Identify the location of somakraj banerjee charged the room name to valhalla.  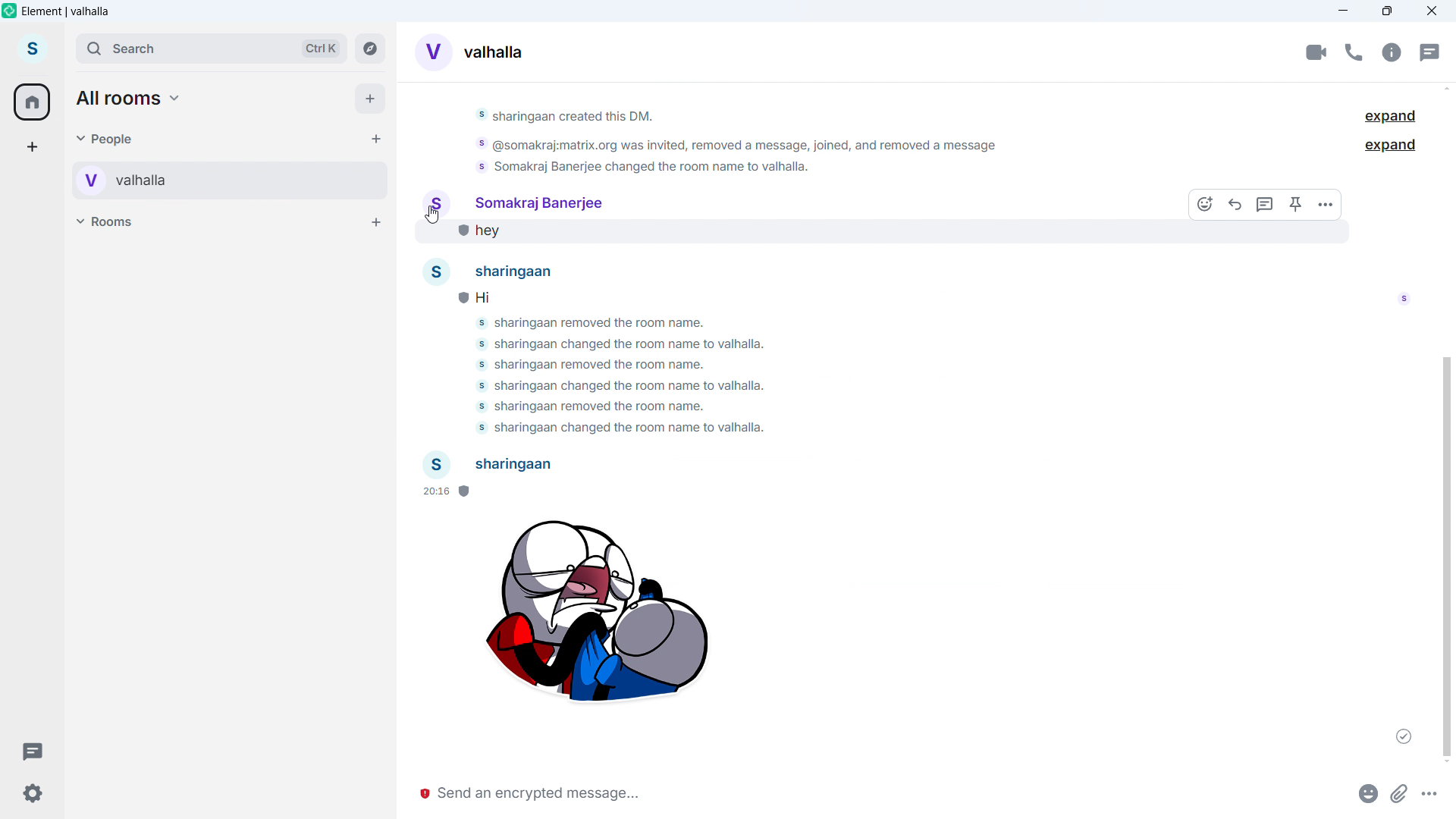
(614, 428).